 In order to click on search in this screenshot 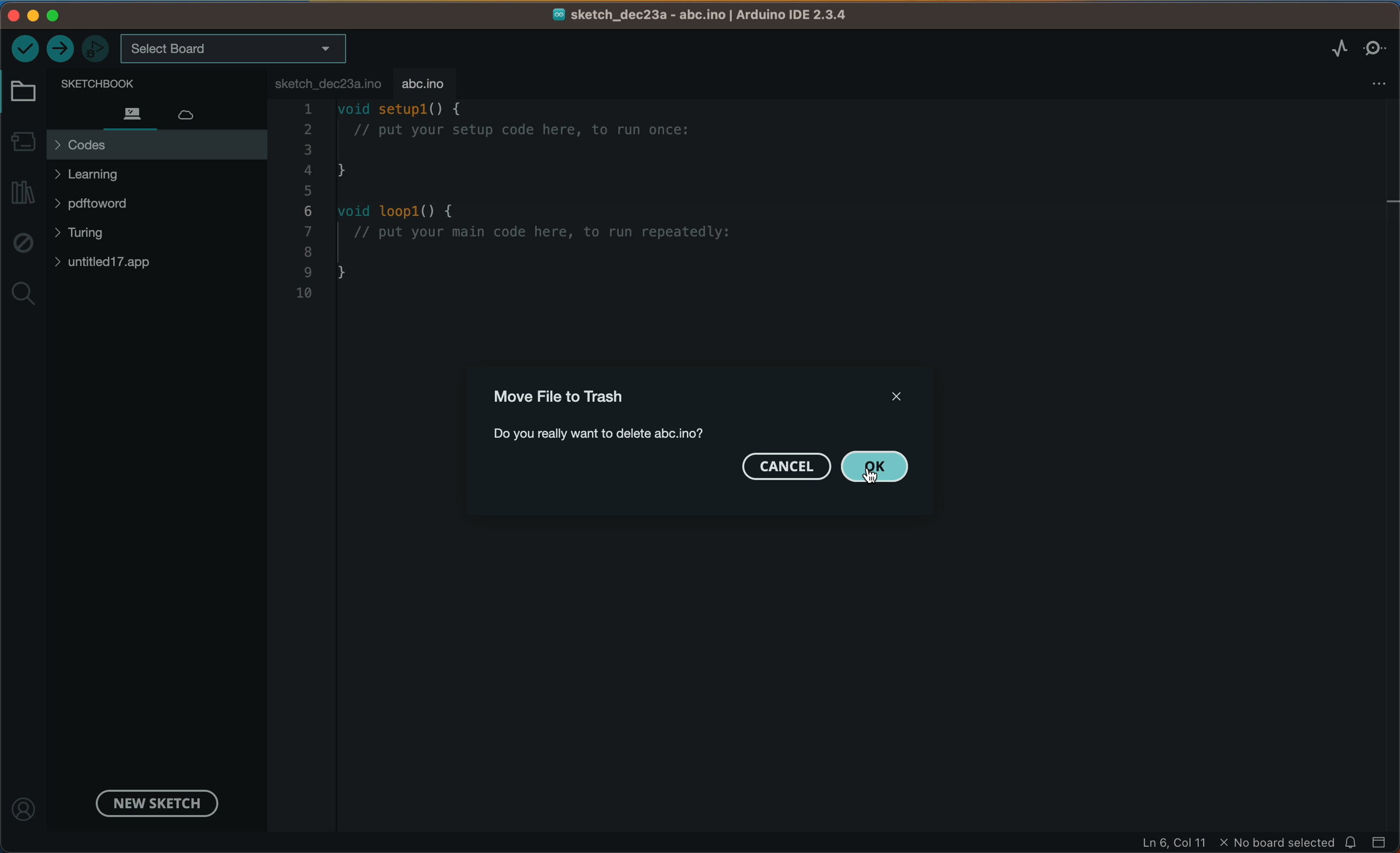, I will do `click(21, 290)`.